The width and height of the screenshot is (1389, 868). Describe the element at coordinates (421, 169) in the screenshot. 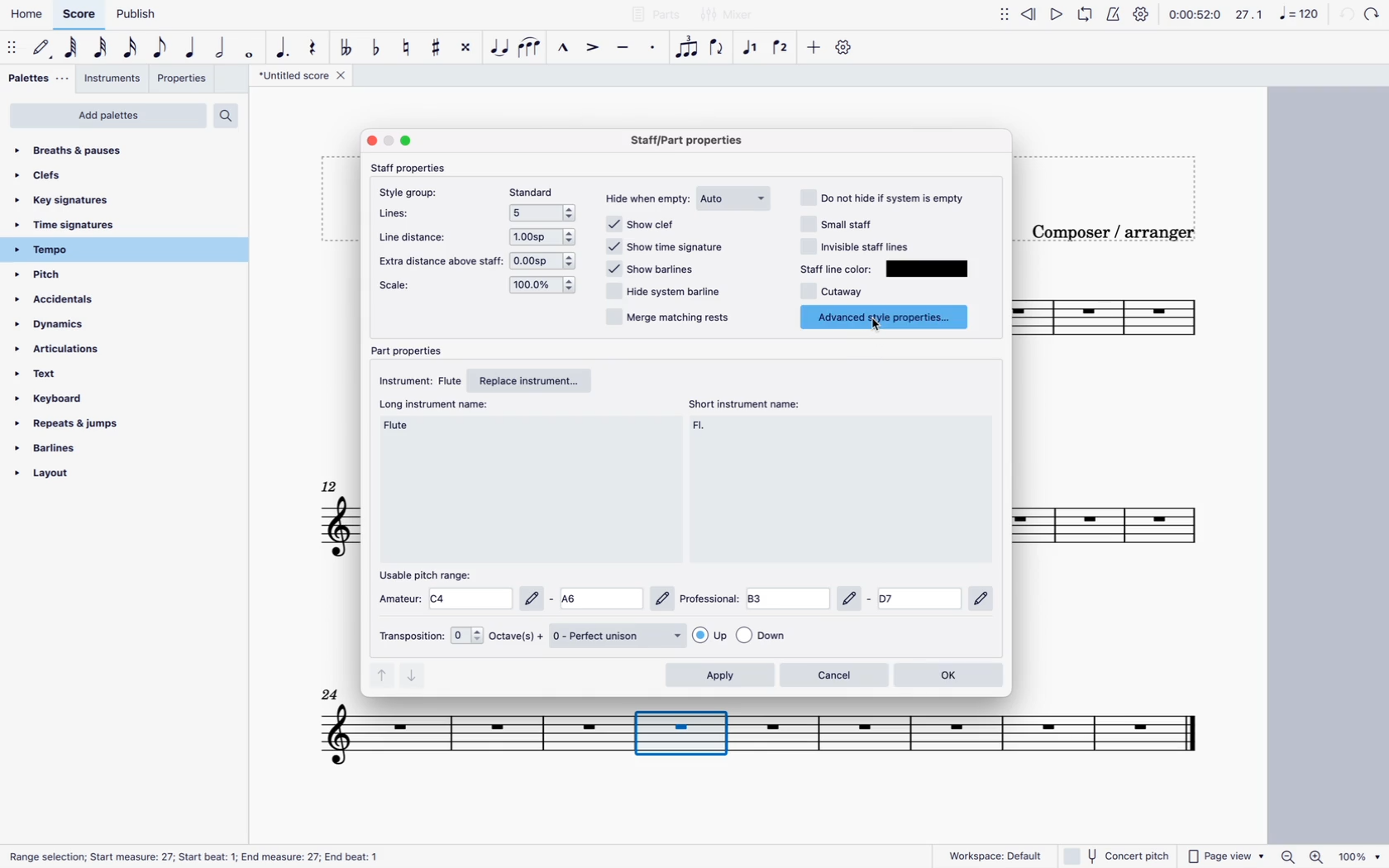

I see `staff properties` at that location.